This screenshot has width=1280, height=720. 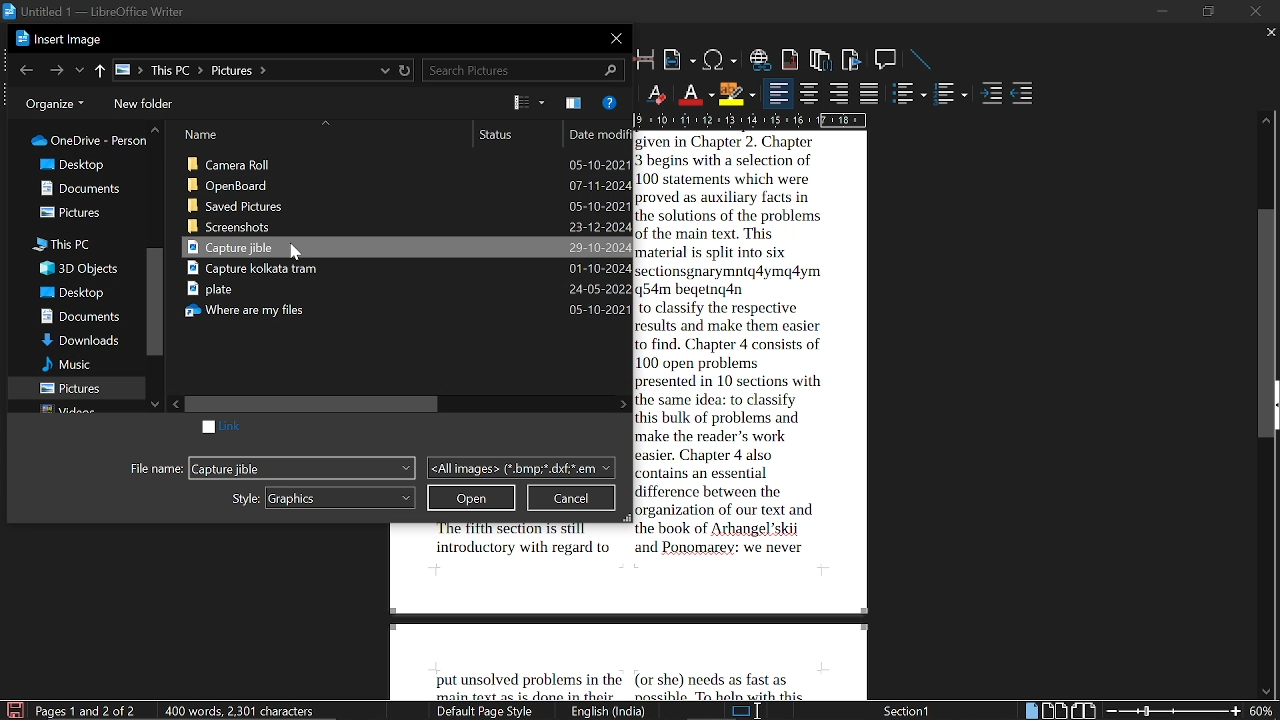 What do you see at coordinates (1174, 711) in the screenshot?
I see `change zoom` at bounding box center [1174, 711].